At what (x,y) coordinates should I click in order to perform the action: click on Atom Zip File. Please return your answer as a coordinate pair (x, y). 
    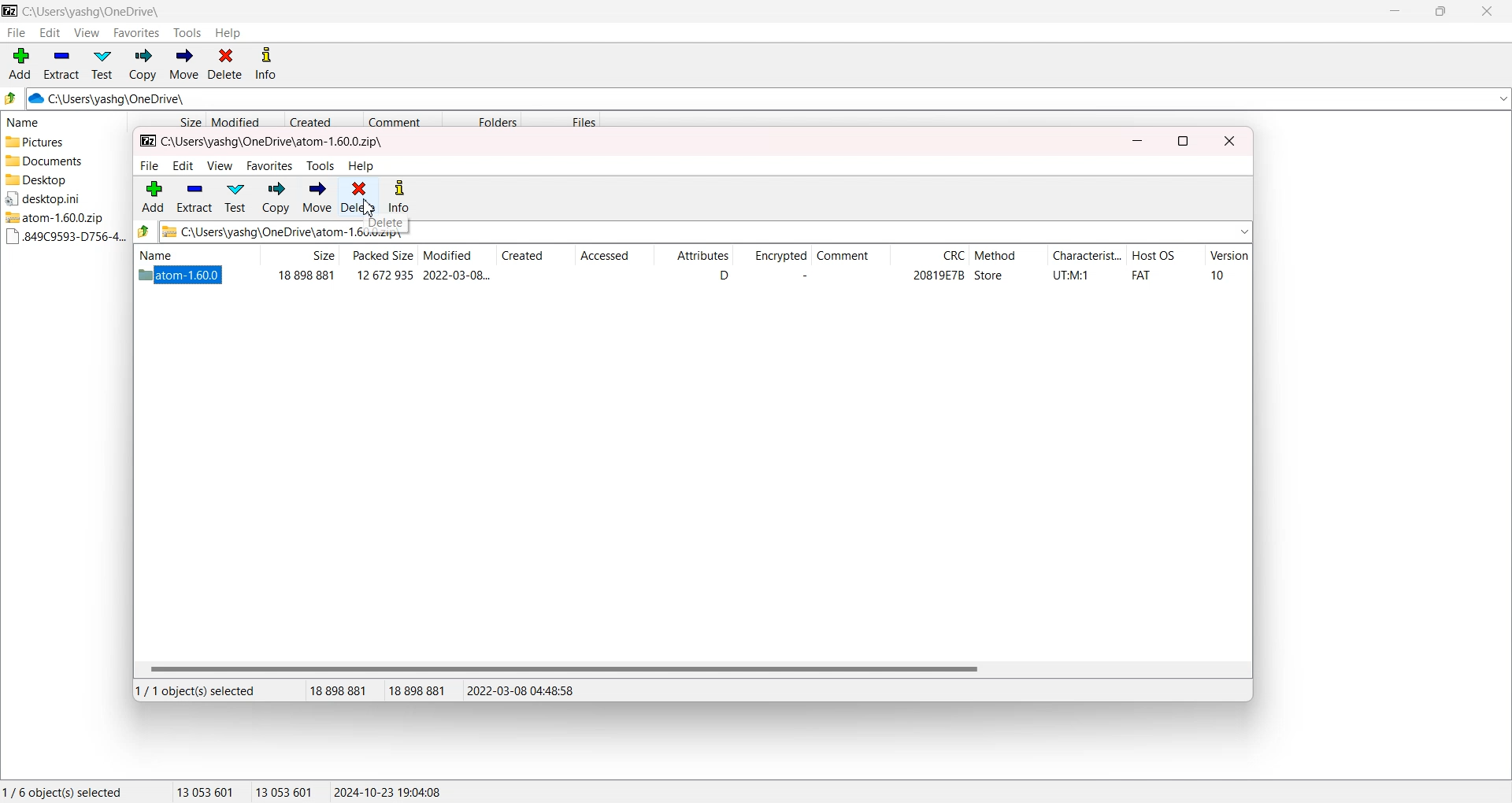
    Looking at the image, I should click on (60, 217).